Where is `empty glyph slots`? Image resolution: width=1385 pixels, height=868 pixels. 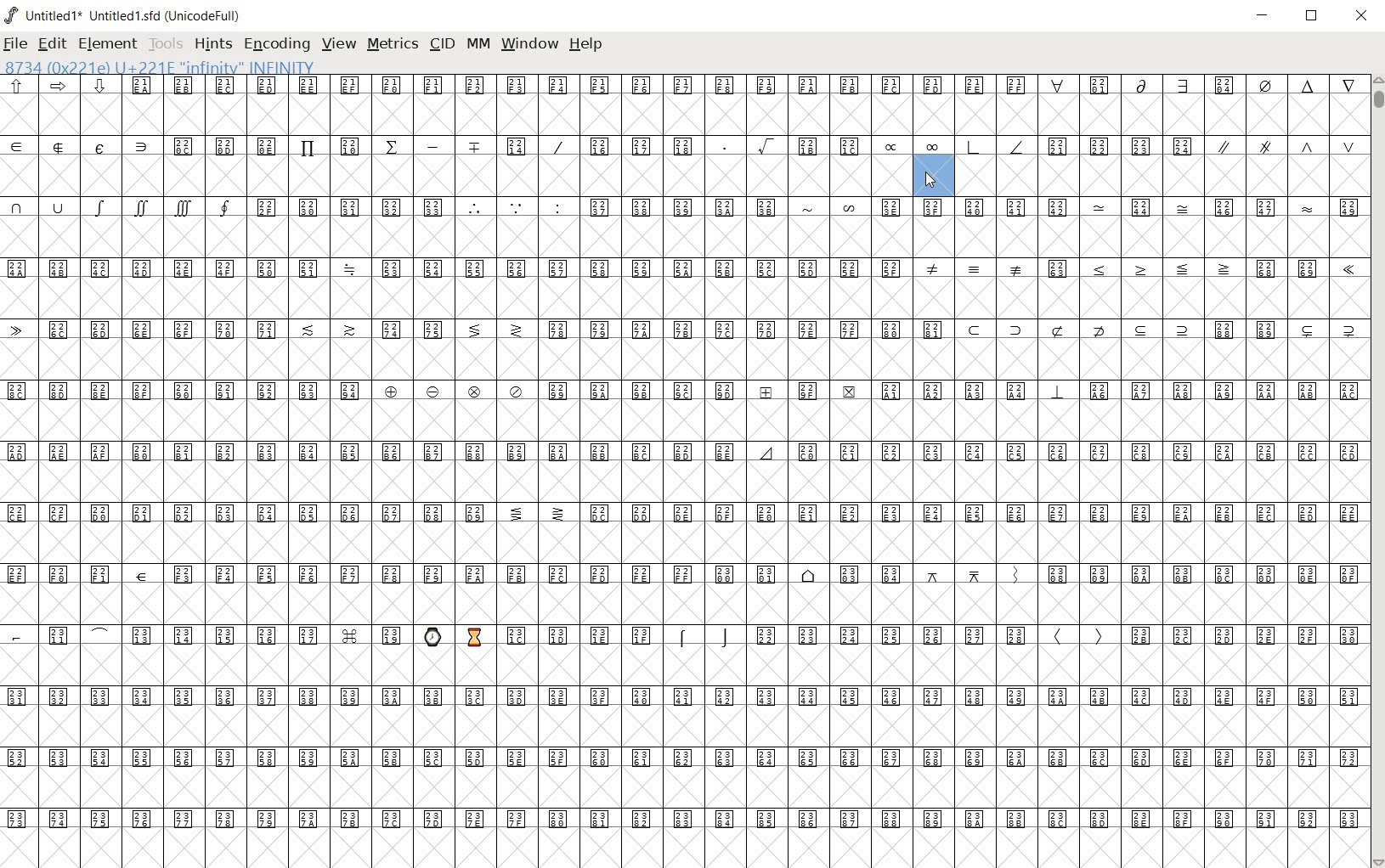 empty glyph slots is located at coordinates (685, 300).